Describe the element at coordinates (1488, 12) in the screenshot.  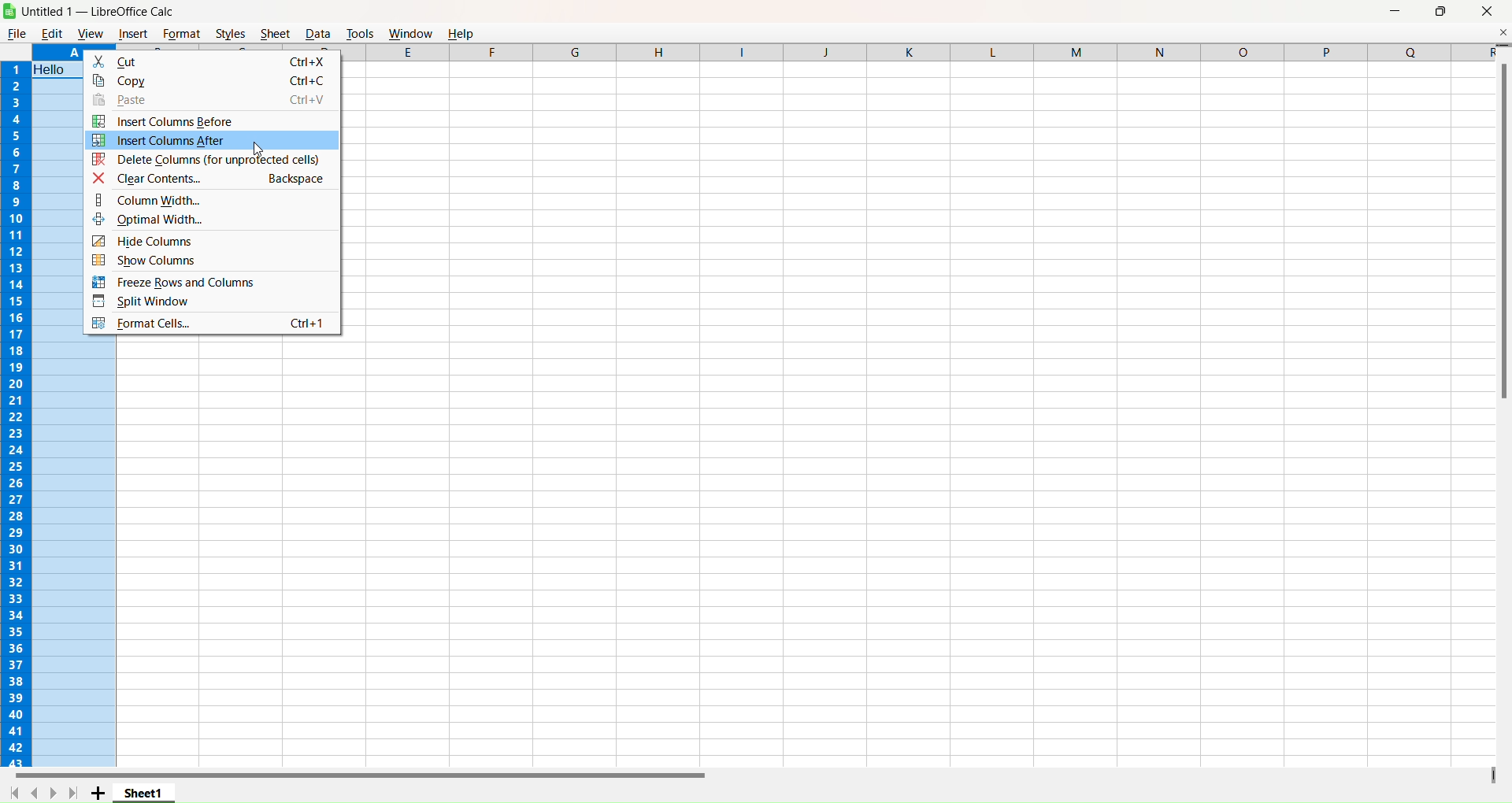
I see `Close` at that location.